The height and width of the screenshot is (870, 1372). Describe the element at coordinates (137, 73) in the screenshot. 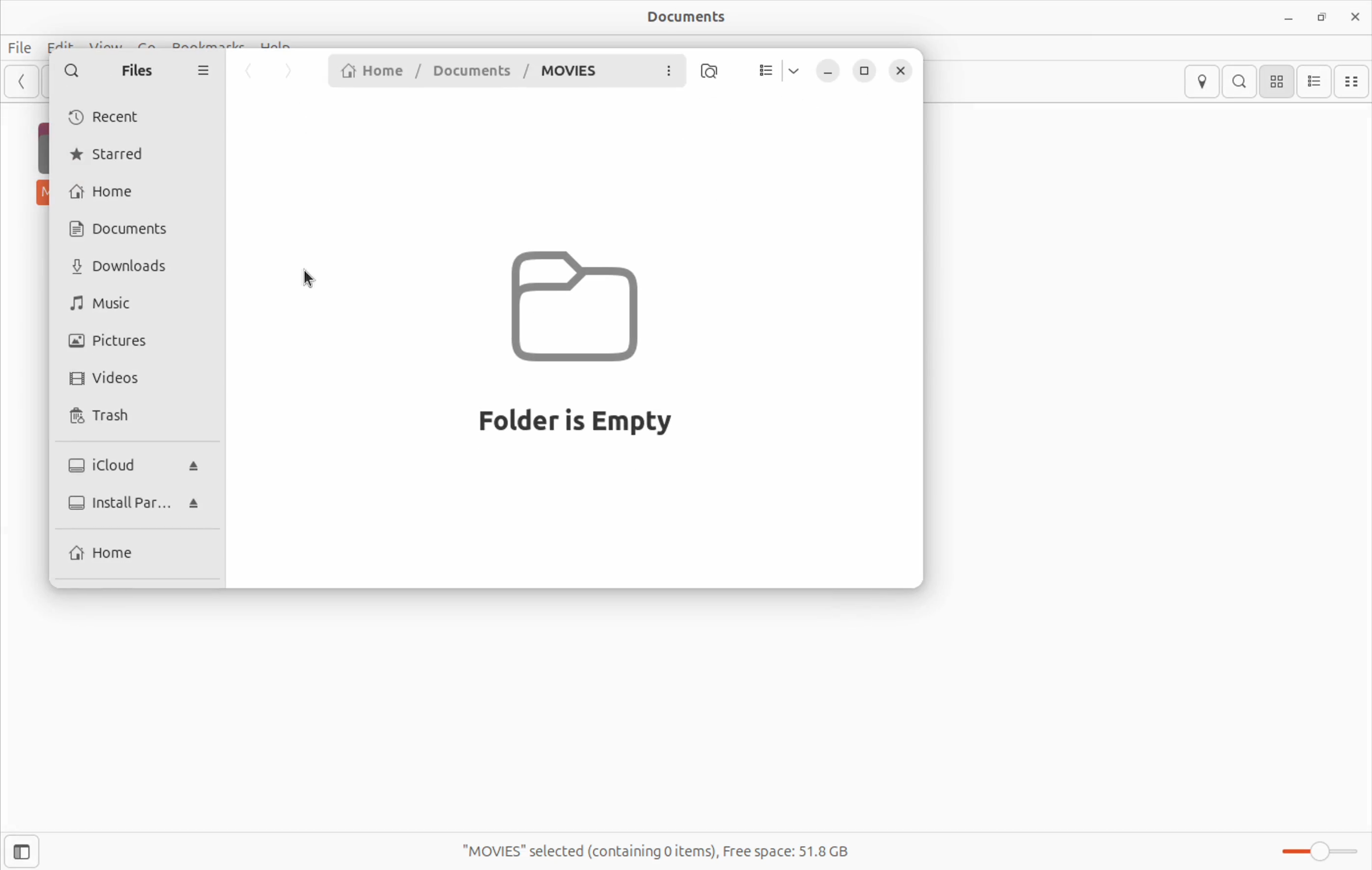

I see `Files` at that location.